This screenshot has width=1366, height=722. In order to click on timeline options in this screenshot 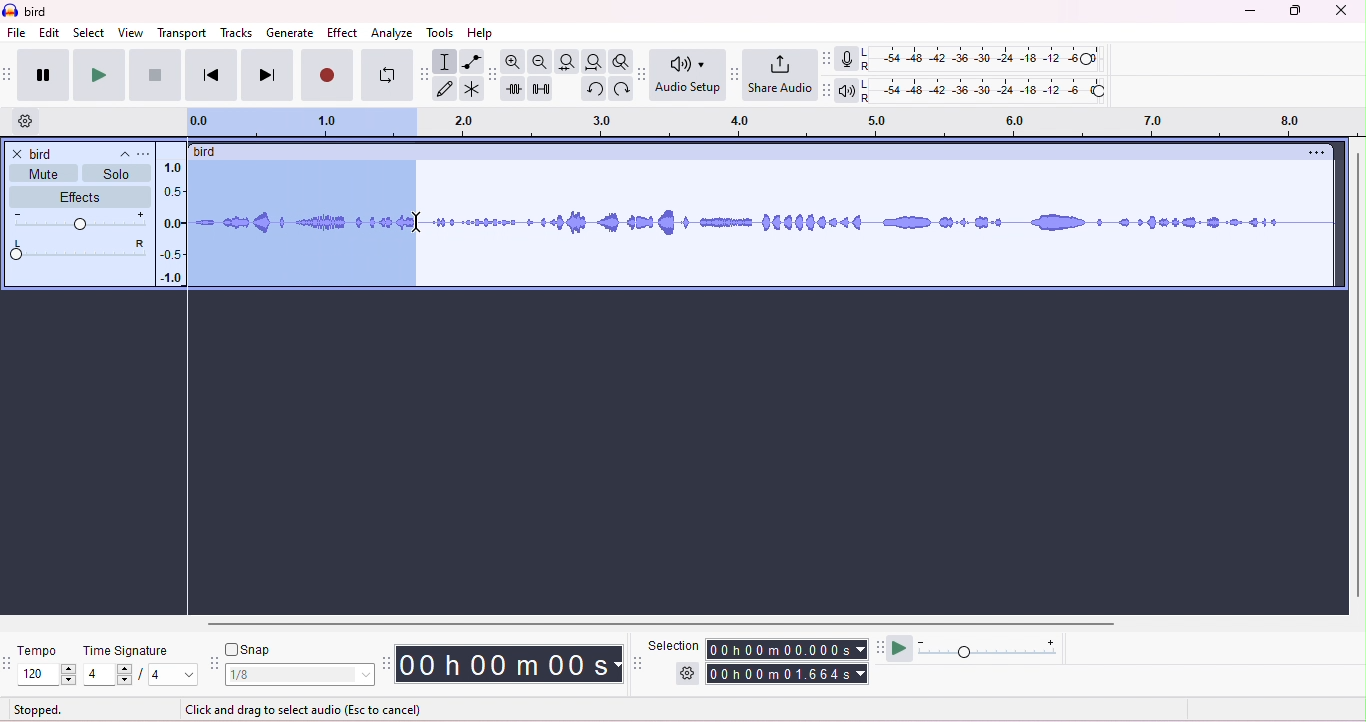, I will do `click(26, 120)`.